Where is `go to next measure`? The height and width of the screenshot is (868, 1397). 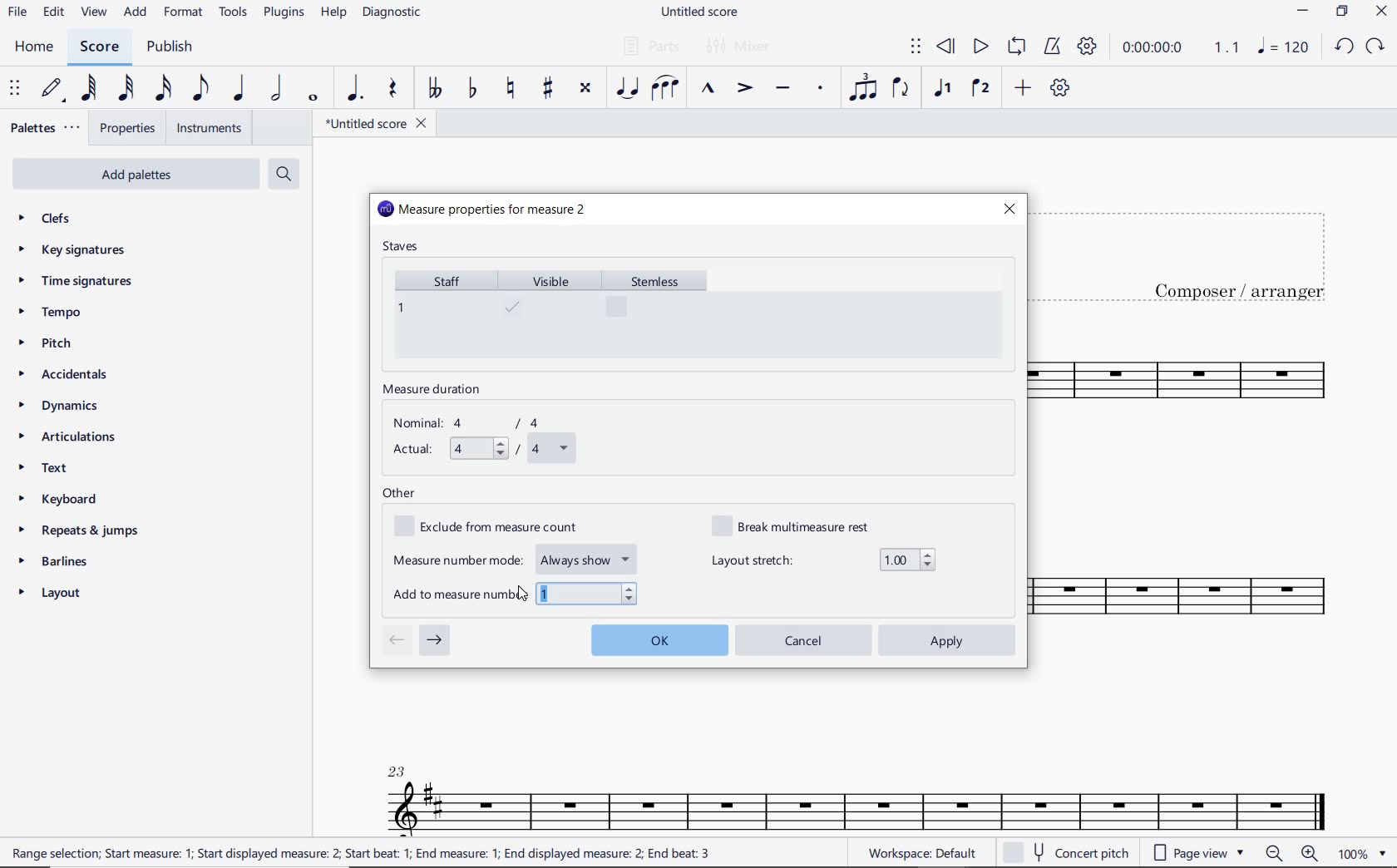 go to next measure is located at coordinates (435, 641).